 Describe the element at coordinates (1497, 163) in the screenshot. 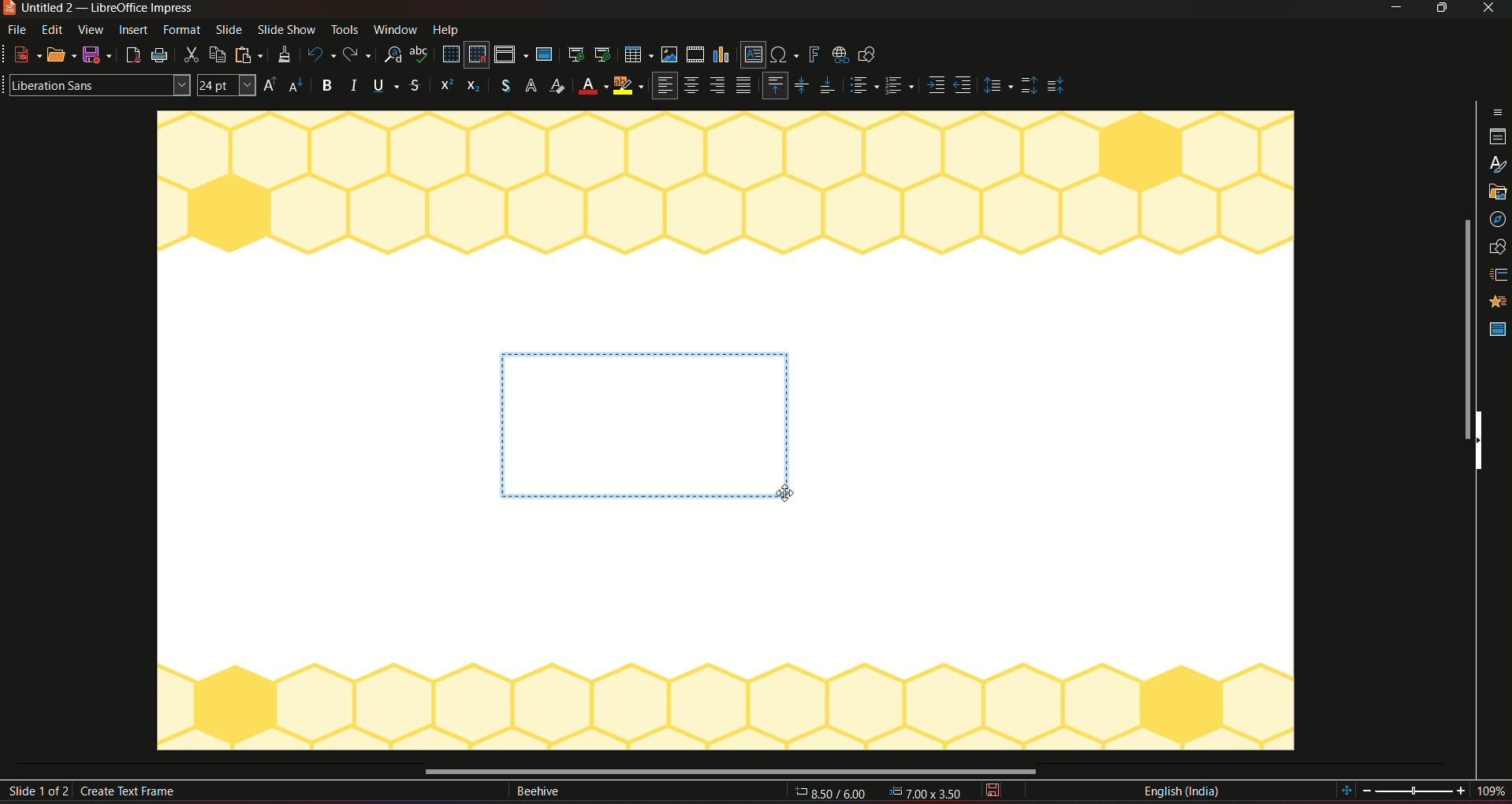

I see `gallery` at that location.